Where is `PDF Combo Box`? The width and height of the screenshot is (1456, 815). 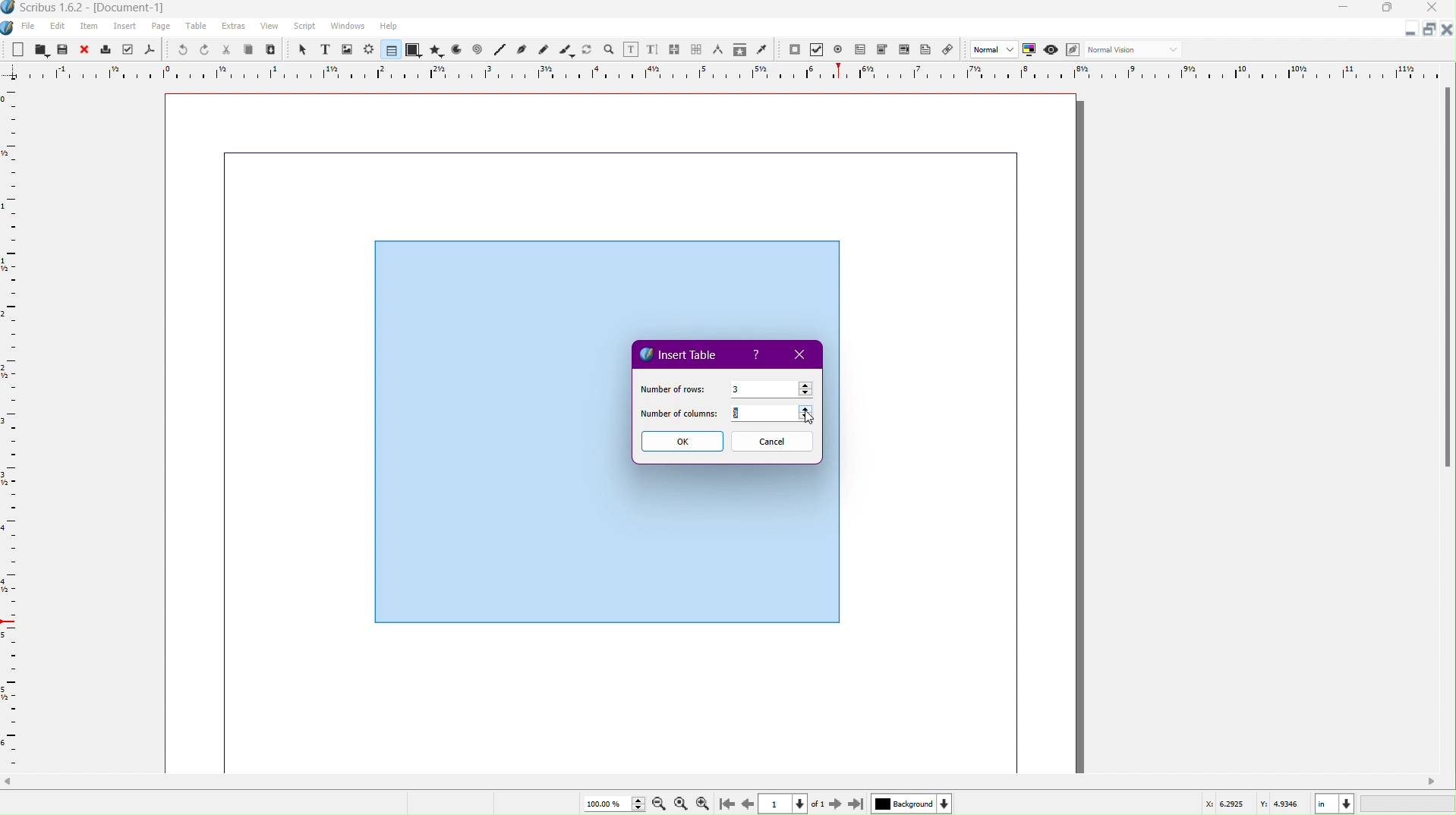 PDF Combo Box is located at coordinates (884, 51).